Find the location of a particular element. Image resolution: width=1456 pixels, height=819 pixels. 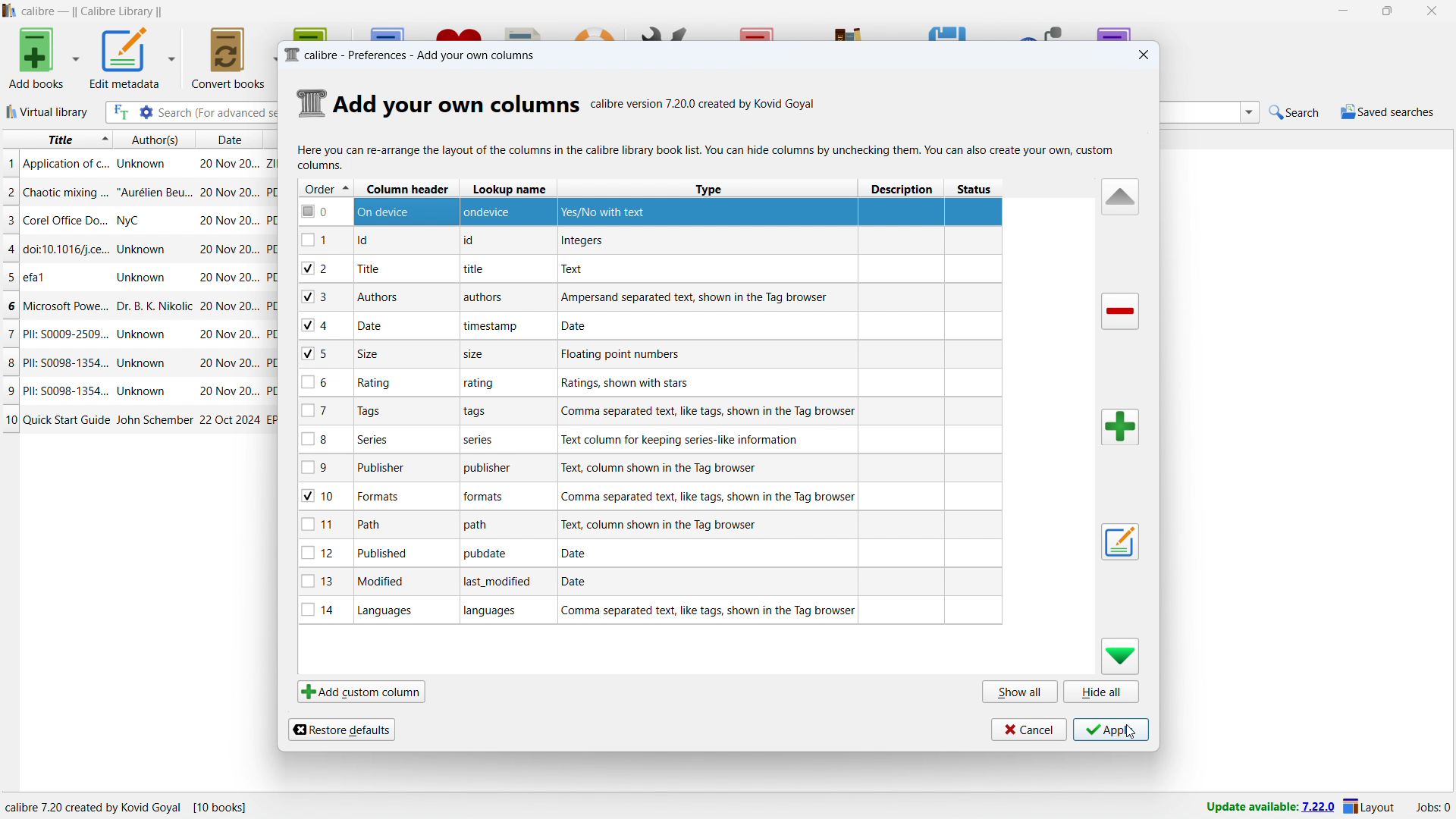

move column down is located at coordinates (1120, 657).